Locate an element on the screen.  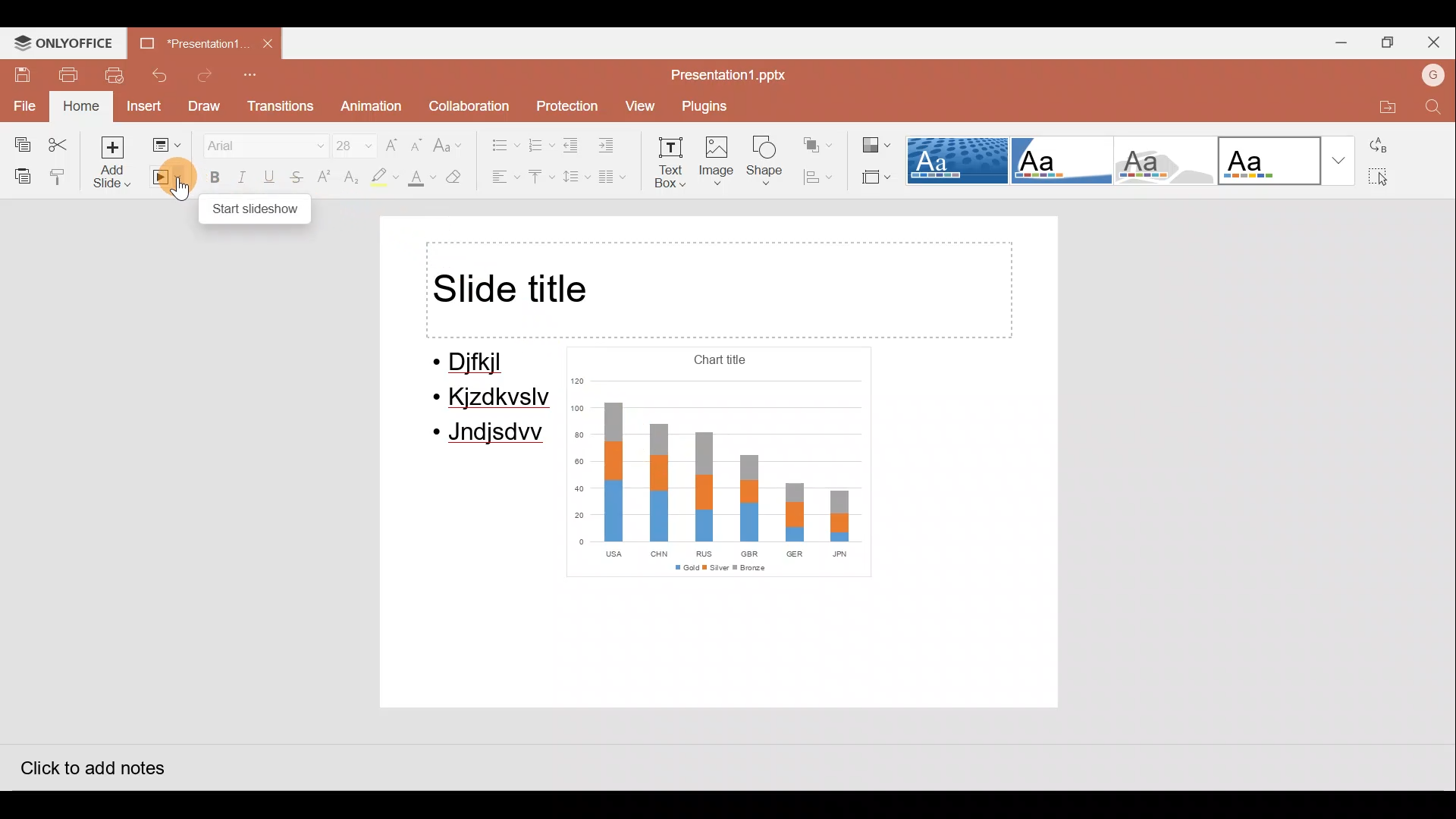
Start slideshow is located at coordinates (165, 180).